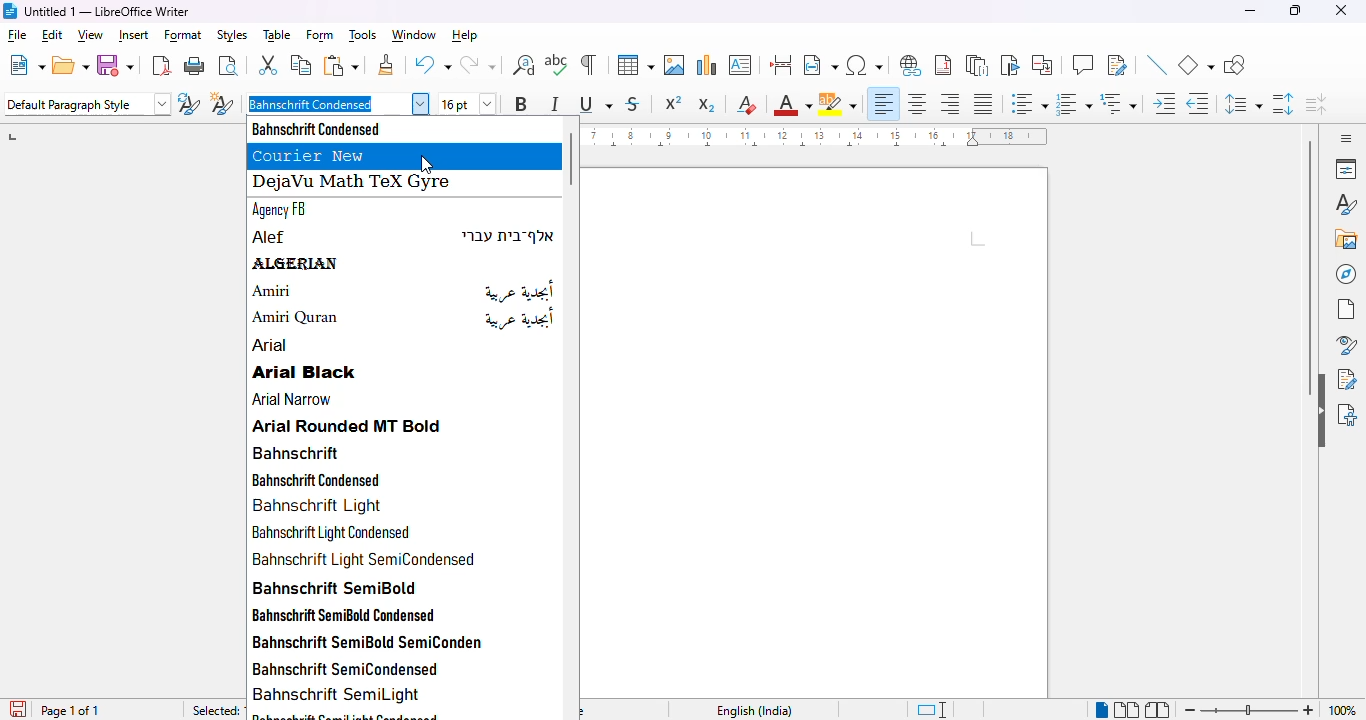 This screenshot has height=720, width=1366. I want to click on toggle unordered list, so click(1029, 104).